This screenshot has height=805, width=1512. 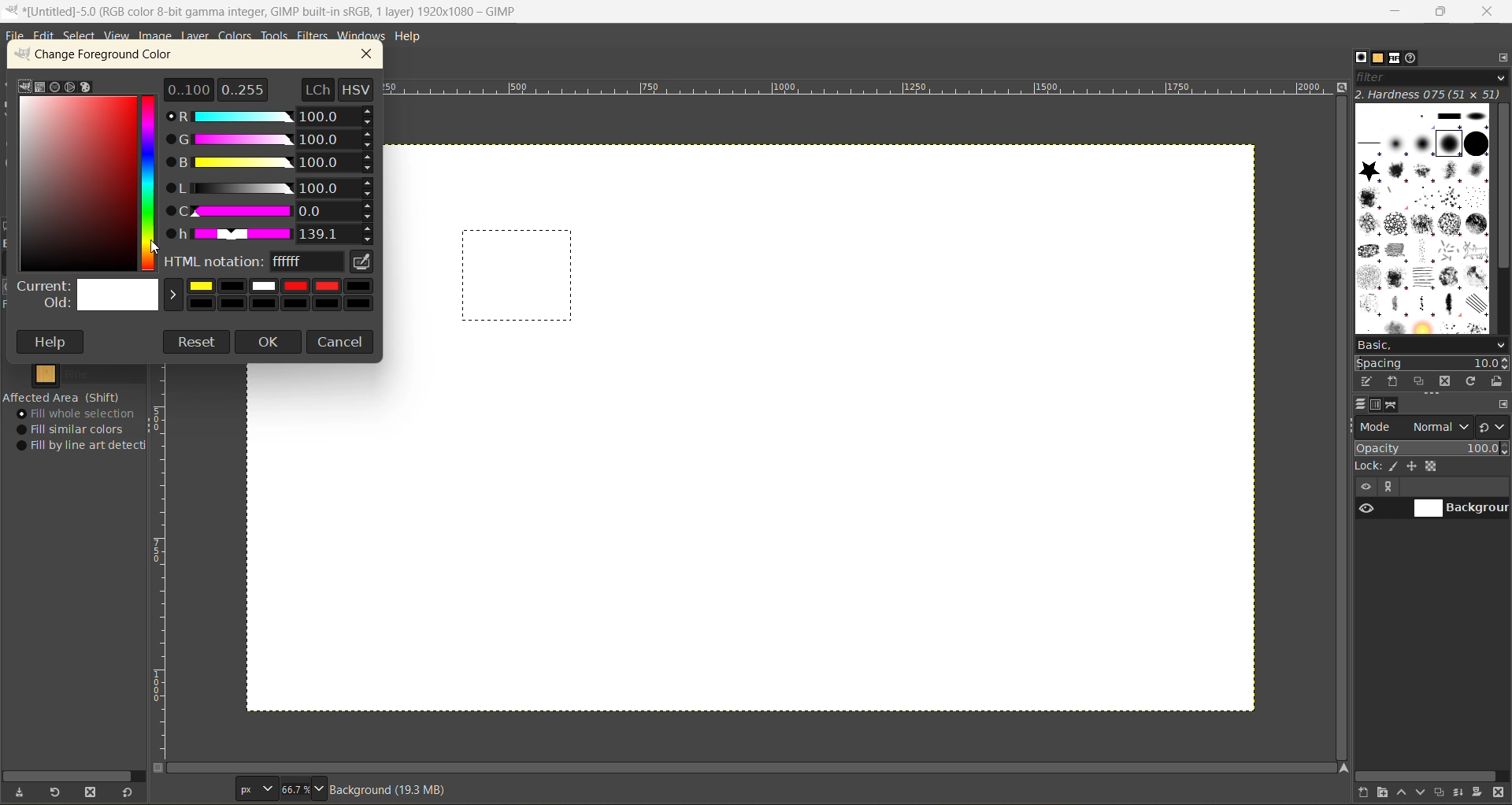 I want to click on merge this layer, so click(x=1463, y=792).